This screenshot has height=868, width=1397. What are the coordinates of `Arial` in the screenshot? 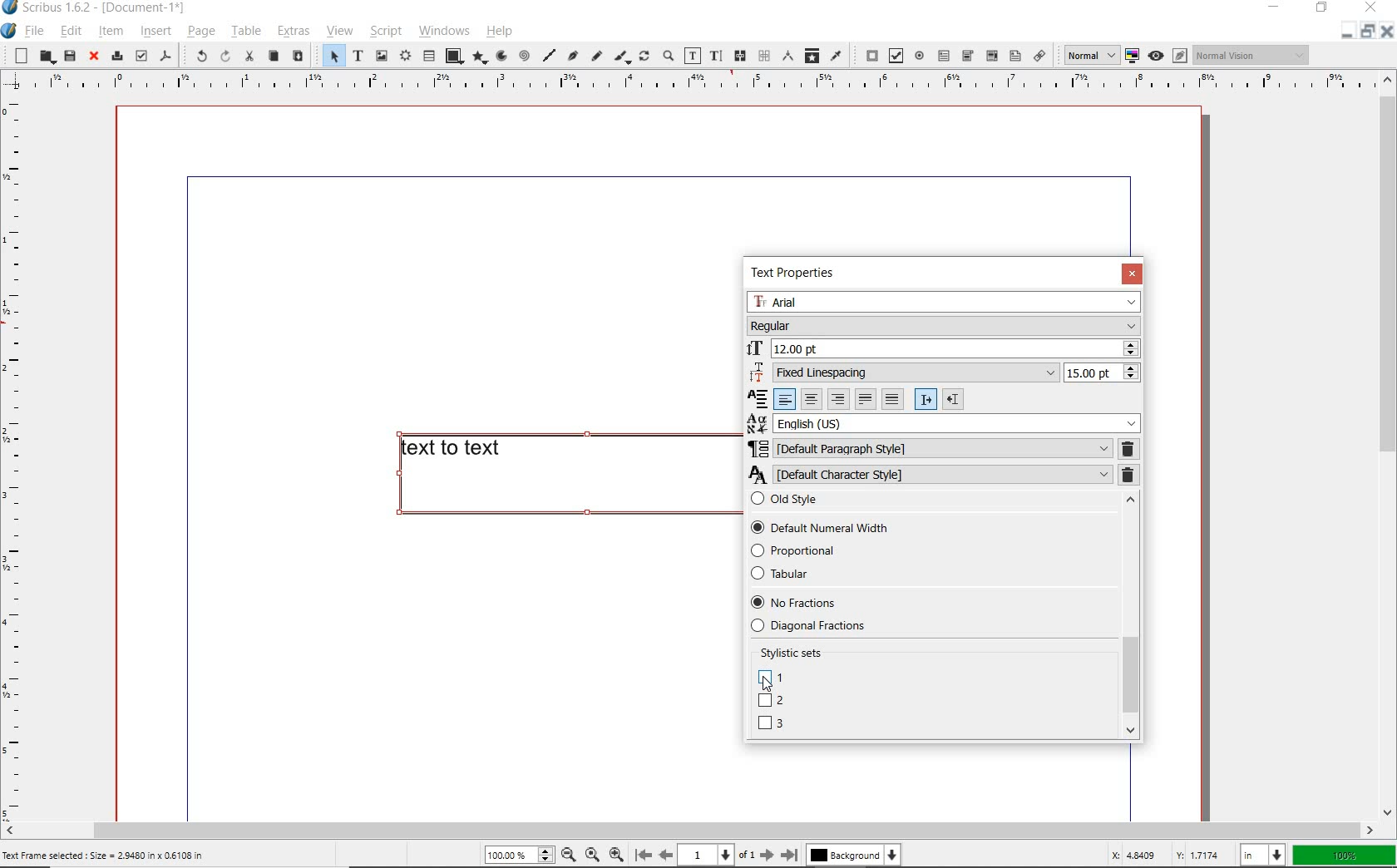 It's located at (942, 301).